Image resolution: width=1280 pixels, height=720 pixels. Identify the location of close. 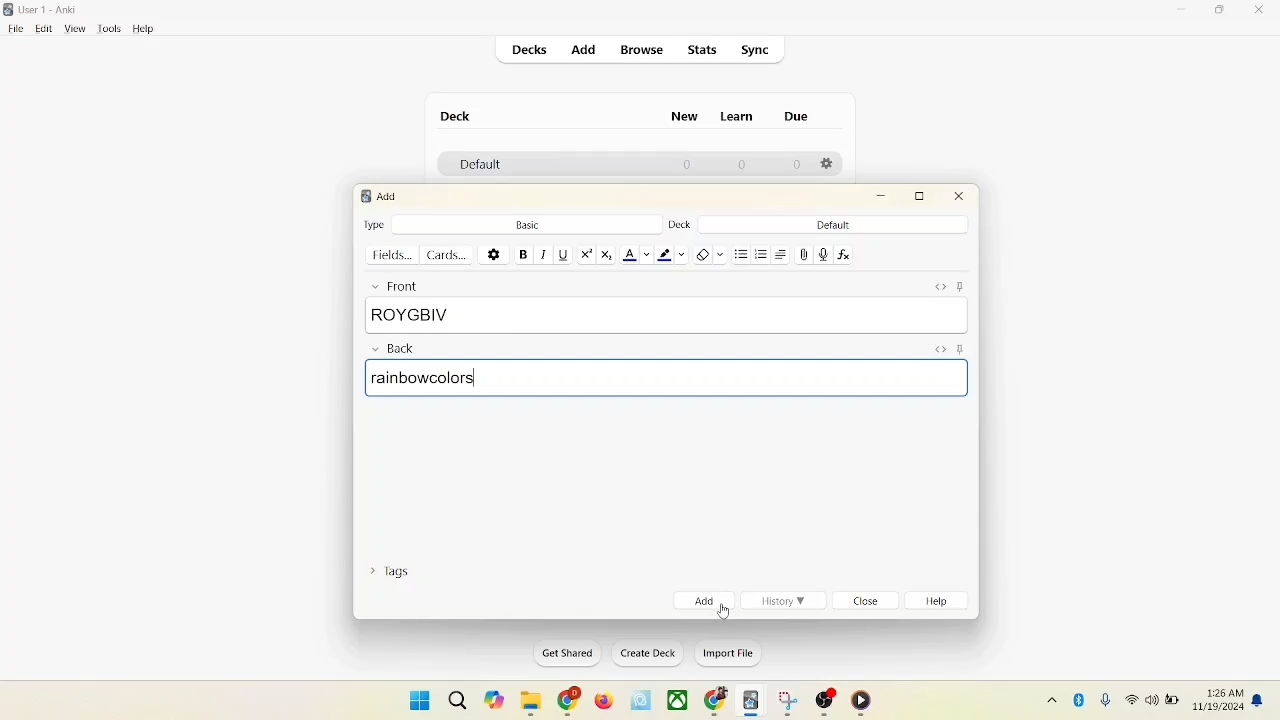
(1260, 11).